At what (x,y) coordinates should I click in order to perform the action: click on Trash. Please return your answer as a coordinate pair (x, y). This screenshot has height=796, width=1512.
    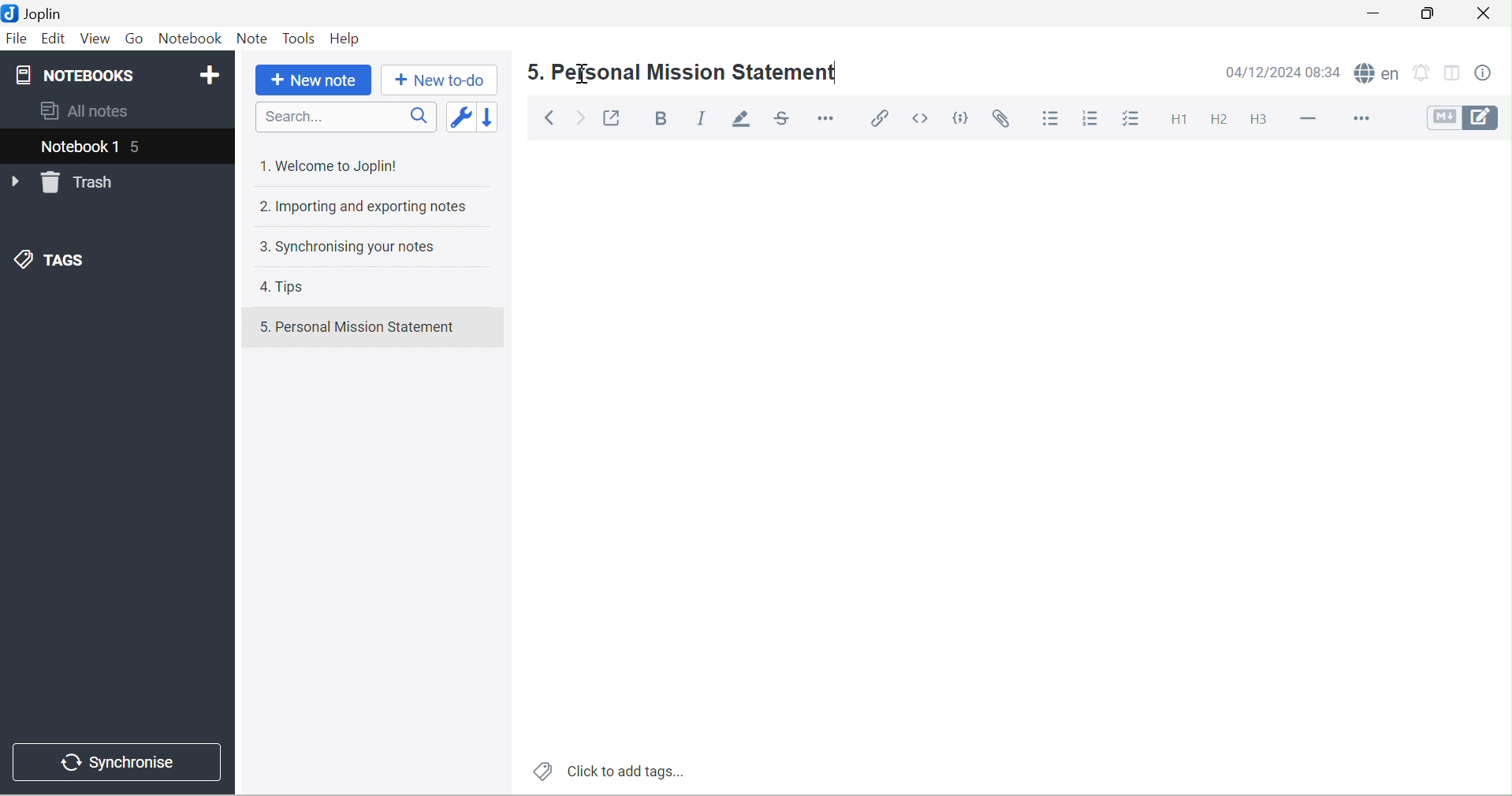
    Looking at the image, I should click on (81, 183).